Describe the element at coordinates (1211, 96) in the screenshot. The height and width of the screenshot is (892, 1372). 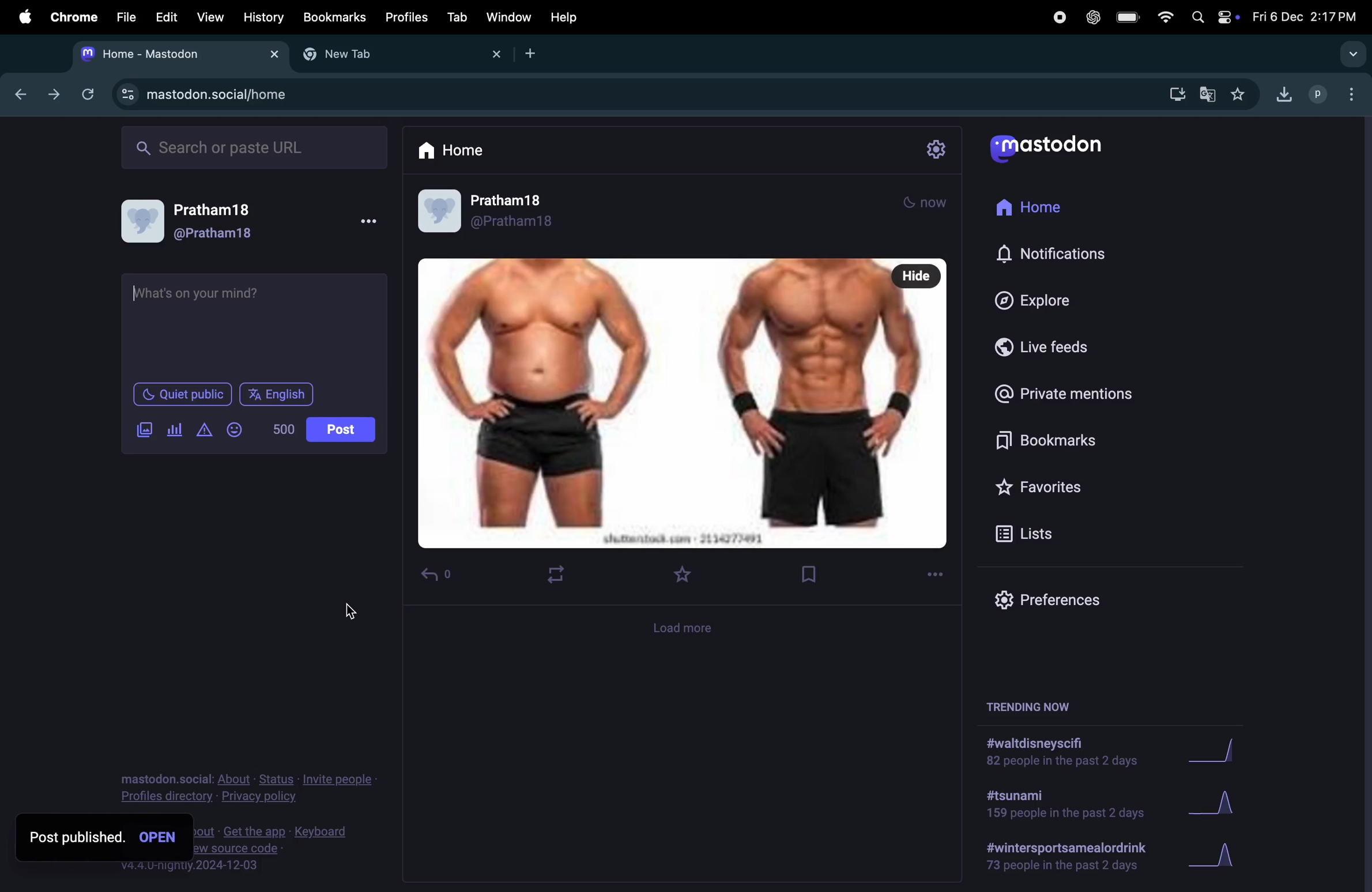
I see `translate` at that location.